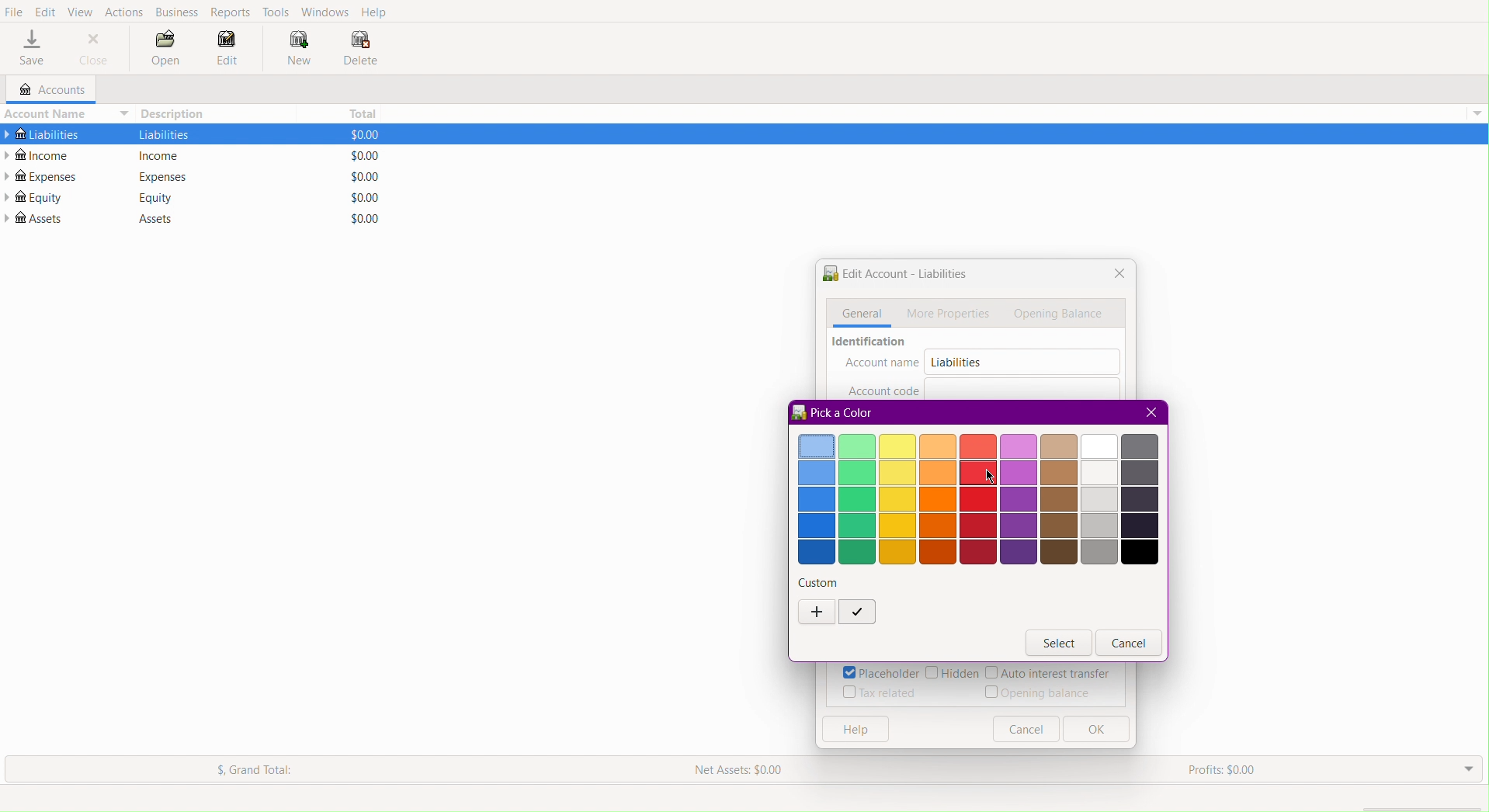  I want to click on Total, so click(359, 111).